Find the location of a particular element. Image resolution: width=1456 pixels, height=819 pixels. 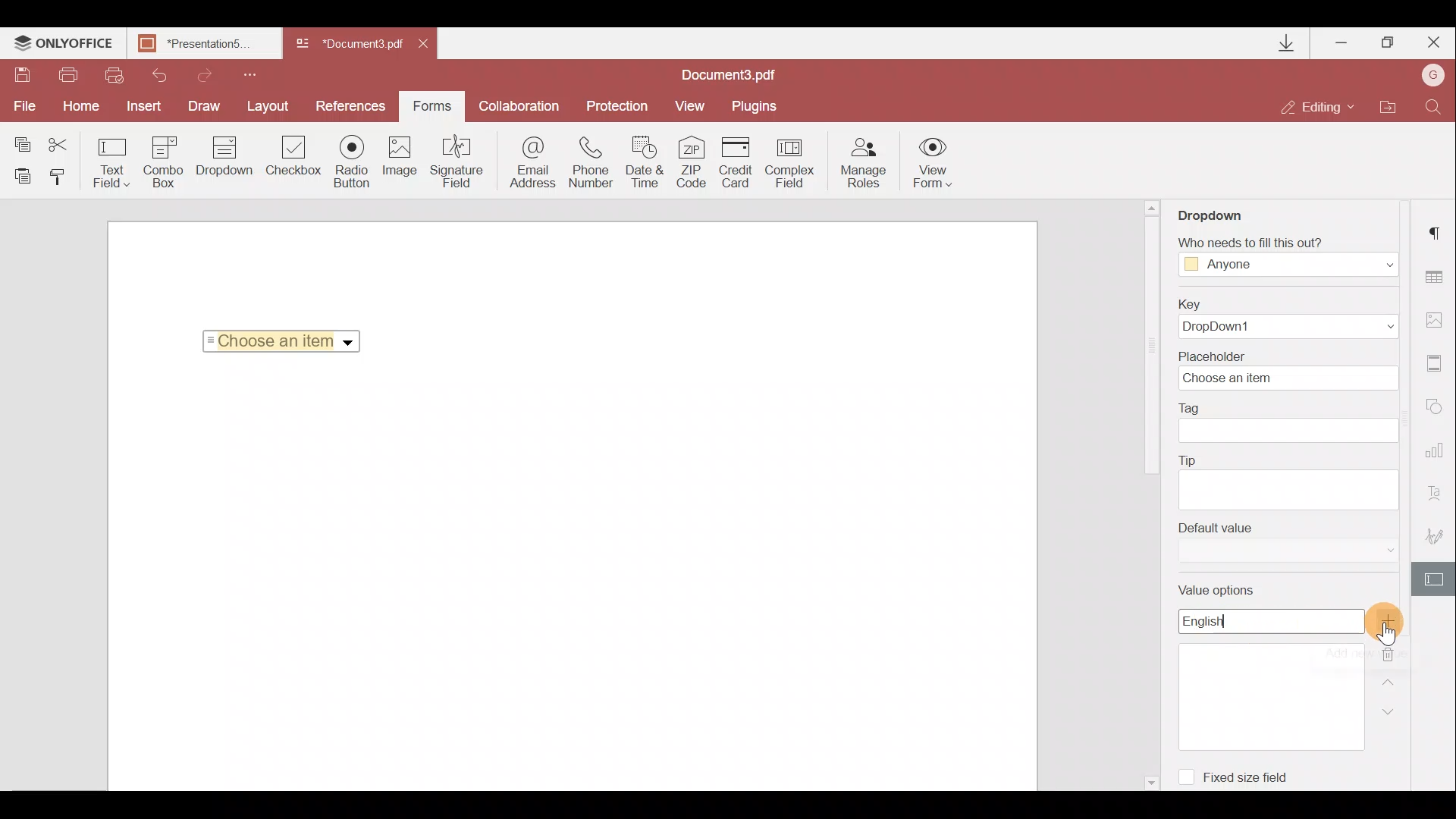

Default value is located at coordinates (1288, 542).